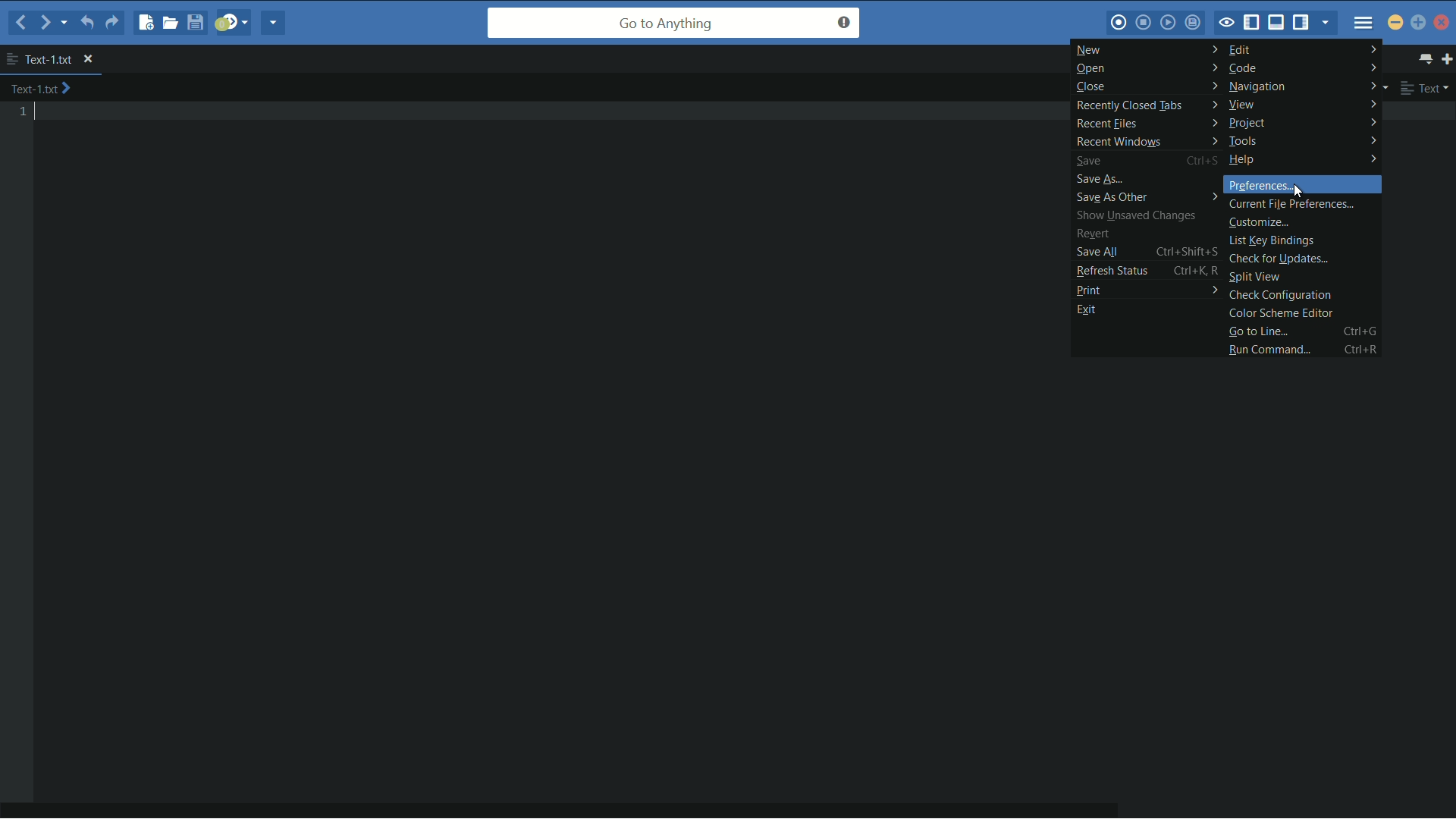 Image resolution: width=1456 pixels, height=819 pixels. Describe the element at coordinates (1084, 309) in the screenshot. I see `exit` at that location.